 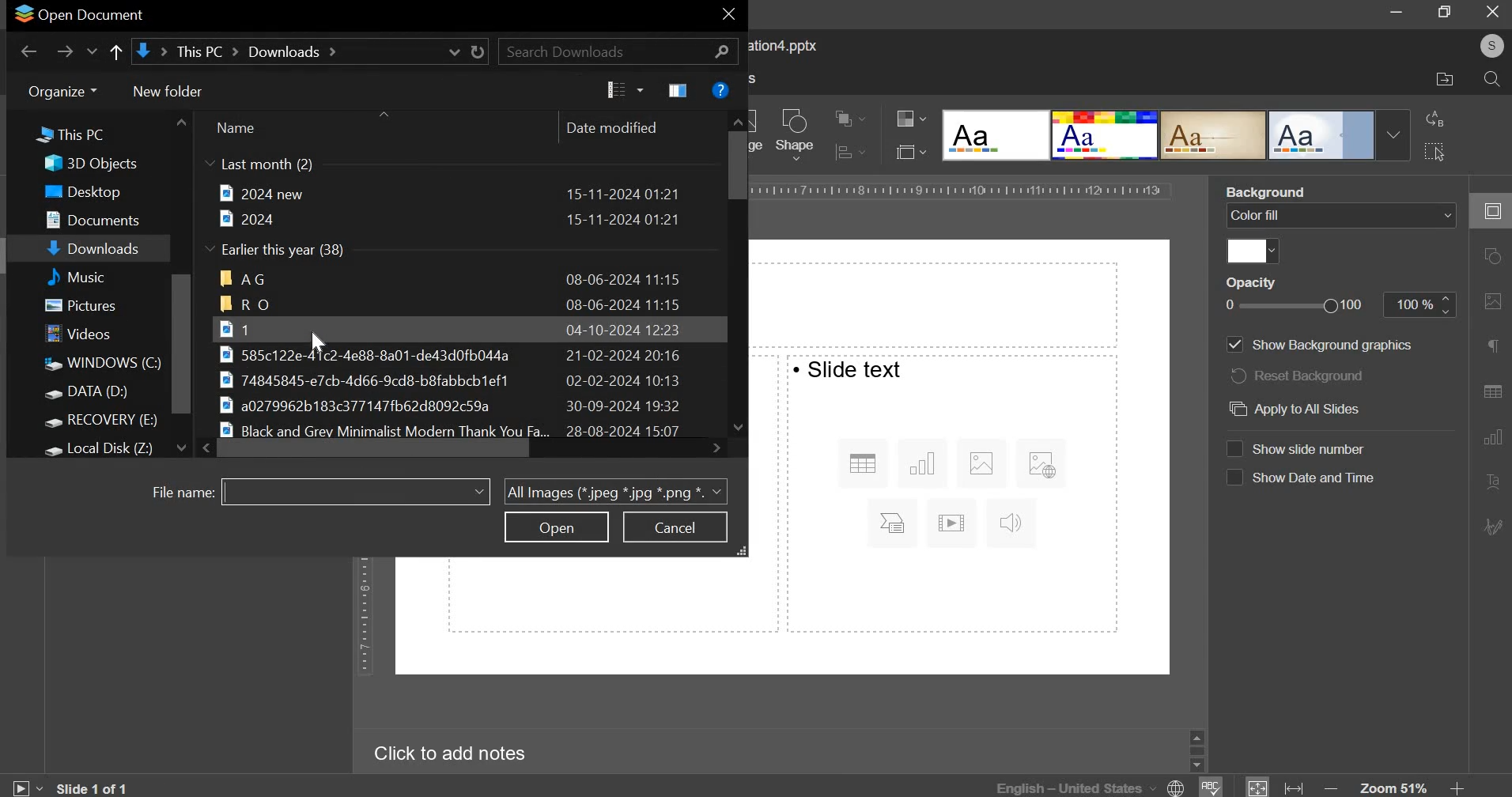 I want to click on paragraph settings, so click(x=1491, y=346).